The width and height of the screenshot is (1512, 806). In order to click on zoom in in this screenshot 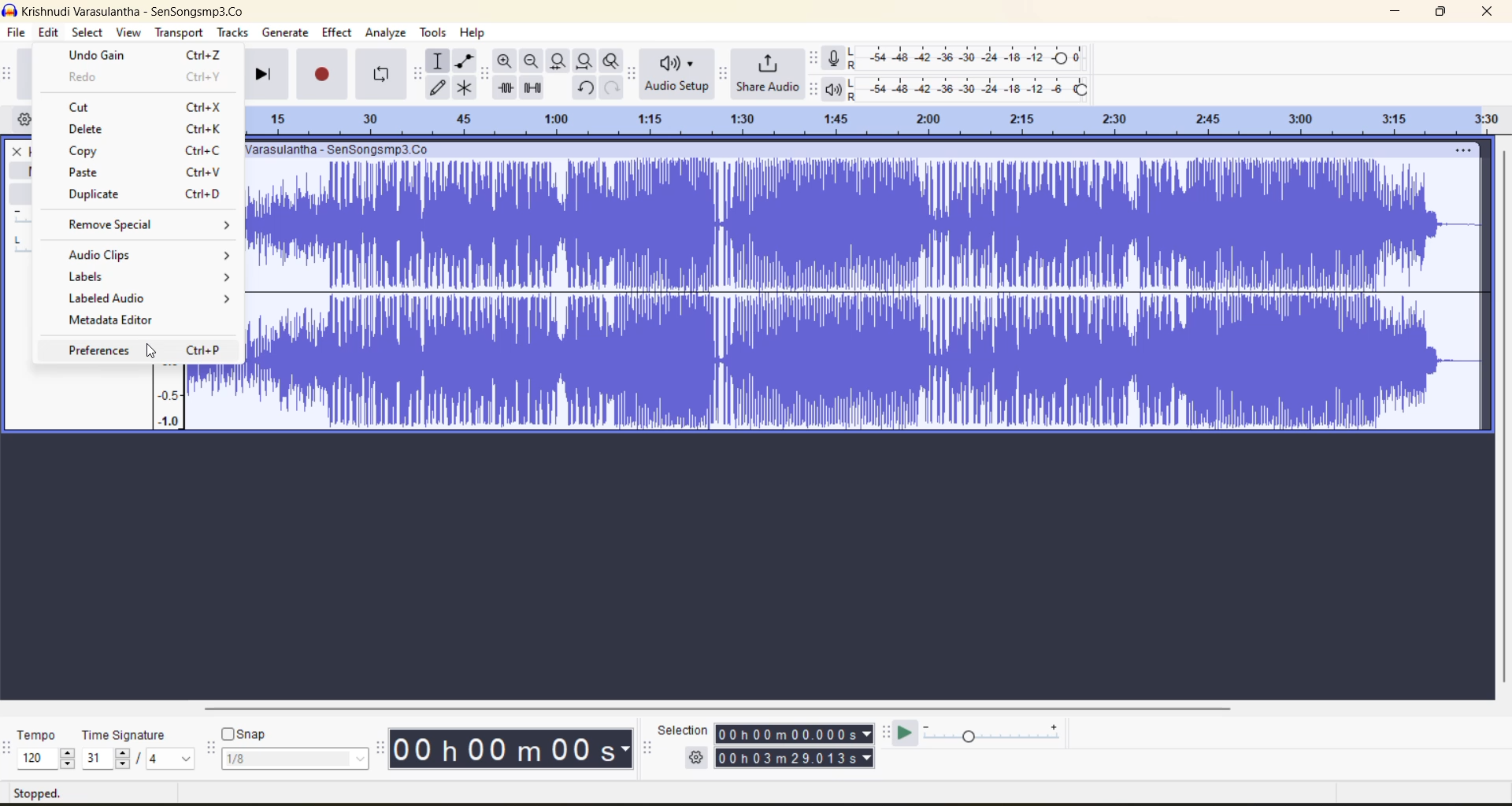, I will do `click(505, 61)`.